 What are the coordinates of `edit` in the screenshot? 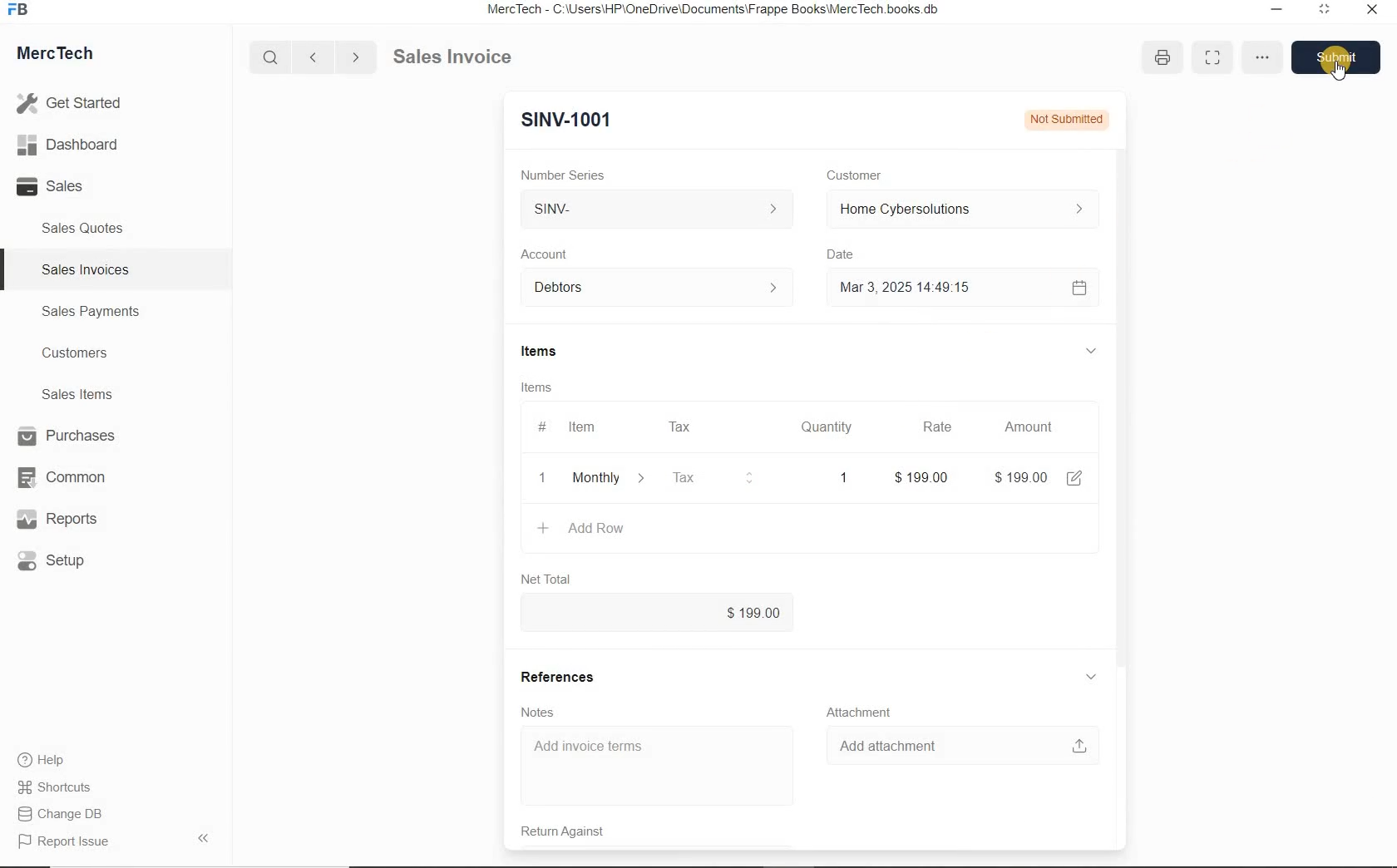 It's located at (1074, 478).